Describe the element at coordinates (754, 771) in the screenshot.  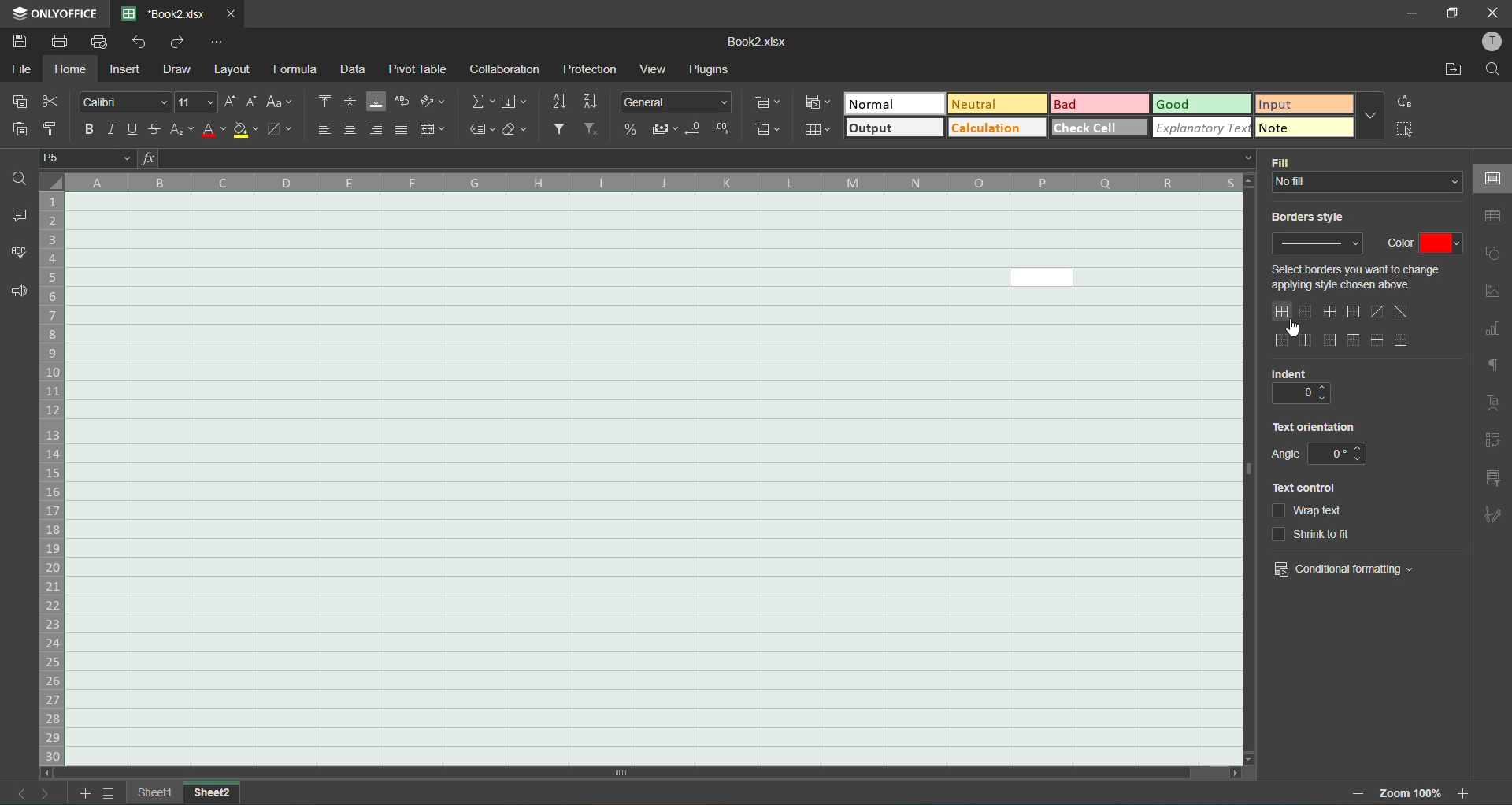
I see `scroll bar` at that location.